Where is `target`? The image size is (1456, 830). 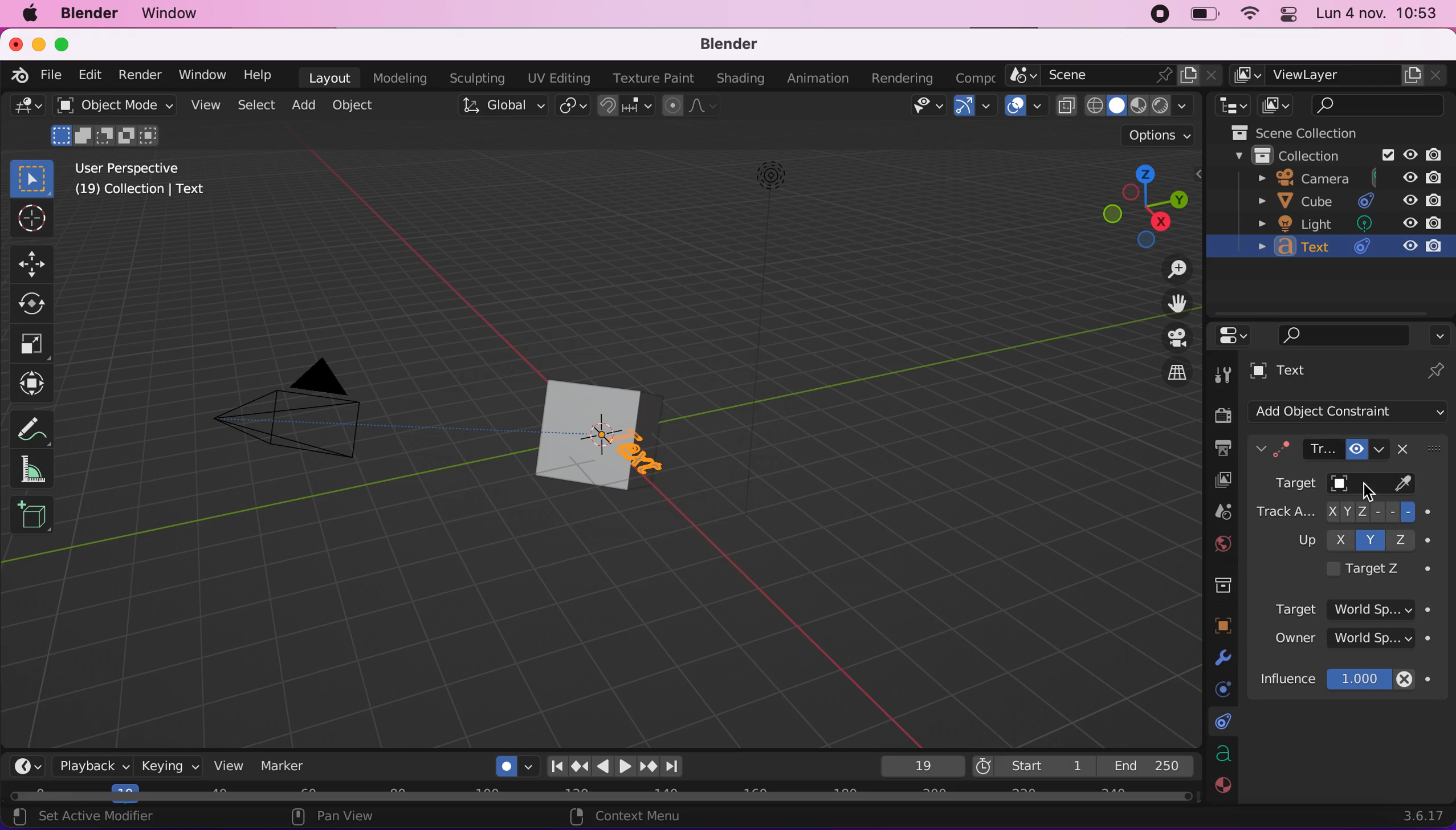
target is located at coordinates (1360, 605).